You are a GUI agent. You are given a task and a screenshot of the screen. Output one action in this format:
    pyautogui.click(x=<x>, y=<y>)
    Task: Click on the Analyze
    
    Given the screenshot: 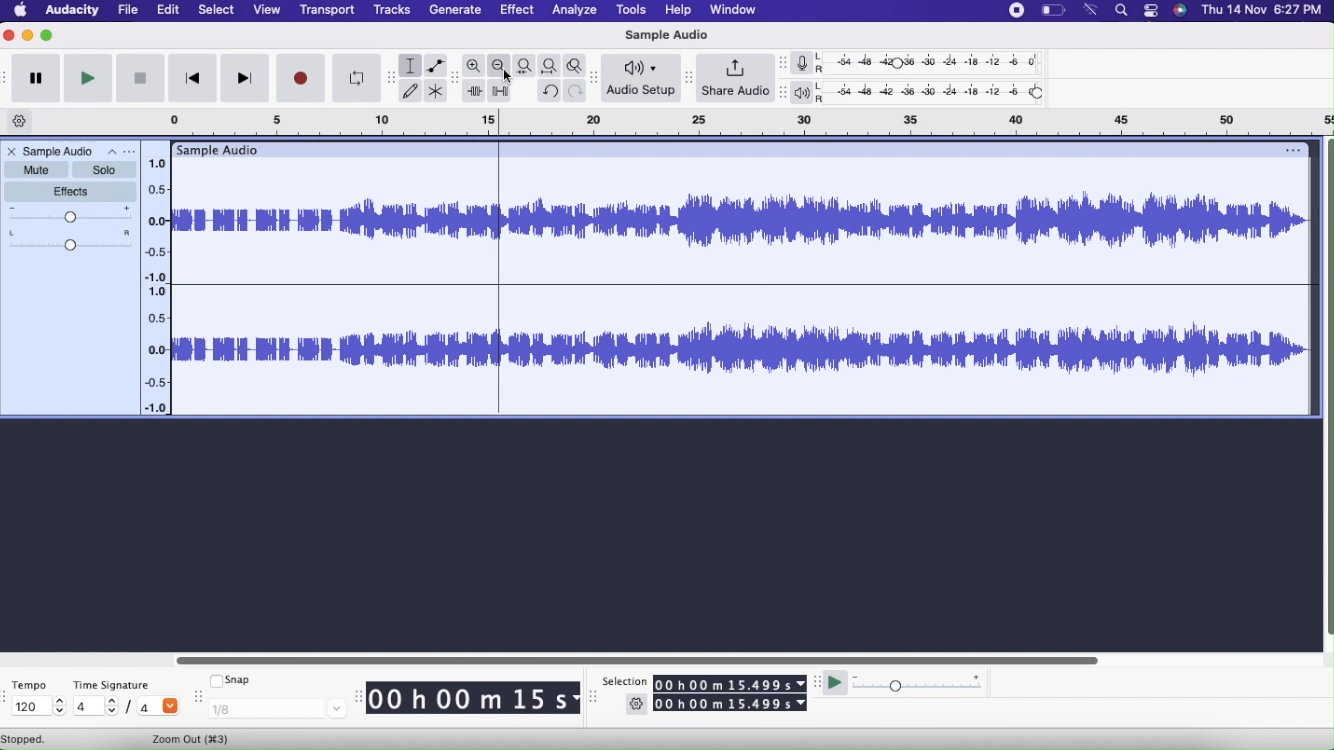 What is the action you would take?
    pyautogui.click(x=572, y=11)
    